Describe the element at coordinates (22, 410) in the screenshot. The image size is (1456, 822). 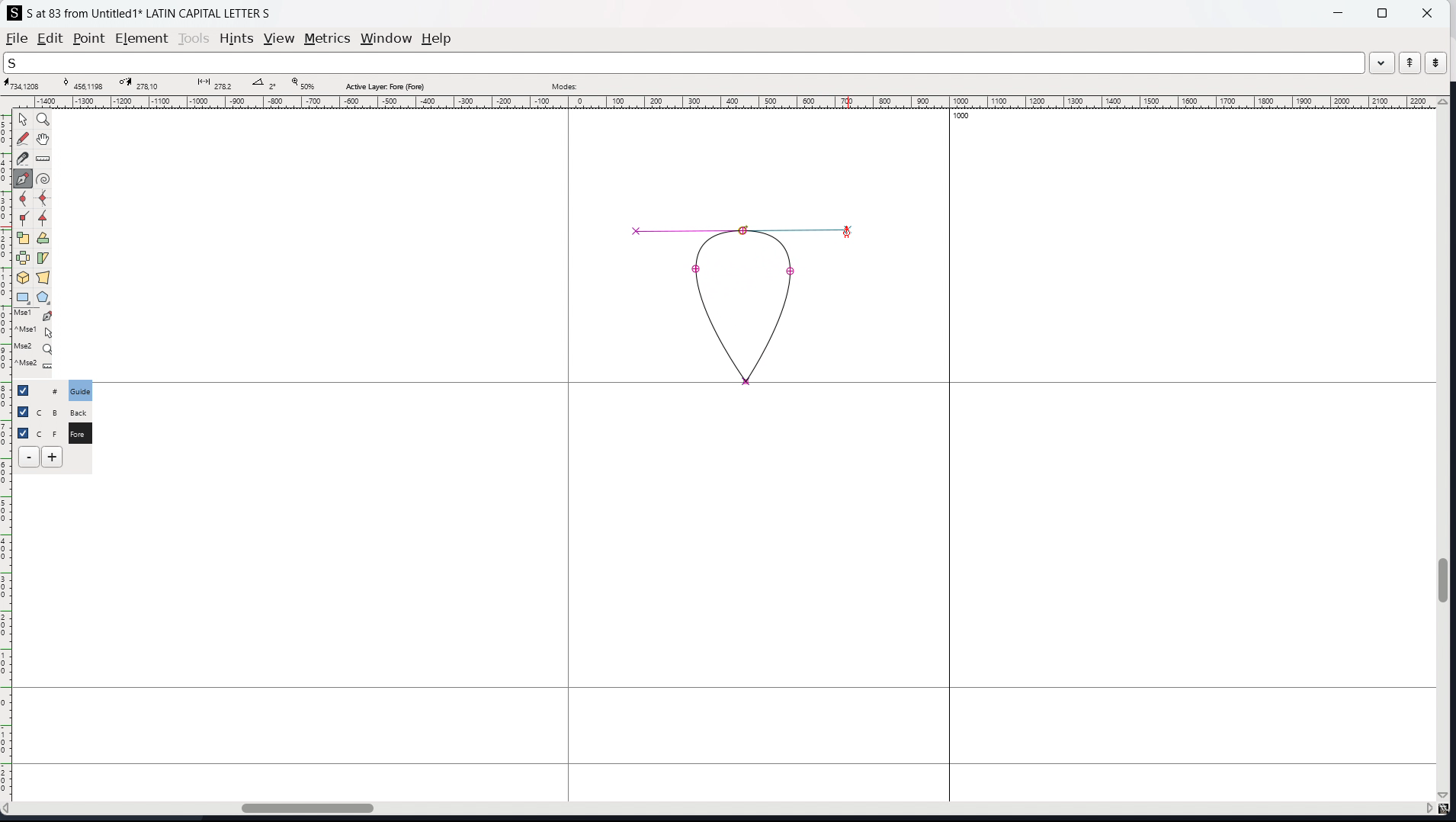
I see `checkbox` at that location.